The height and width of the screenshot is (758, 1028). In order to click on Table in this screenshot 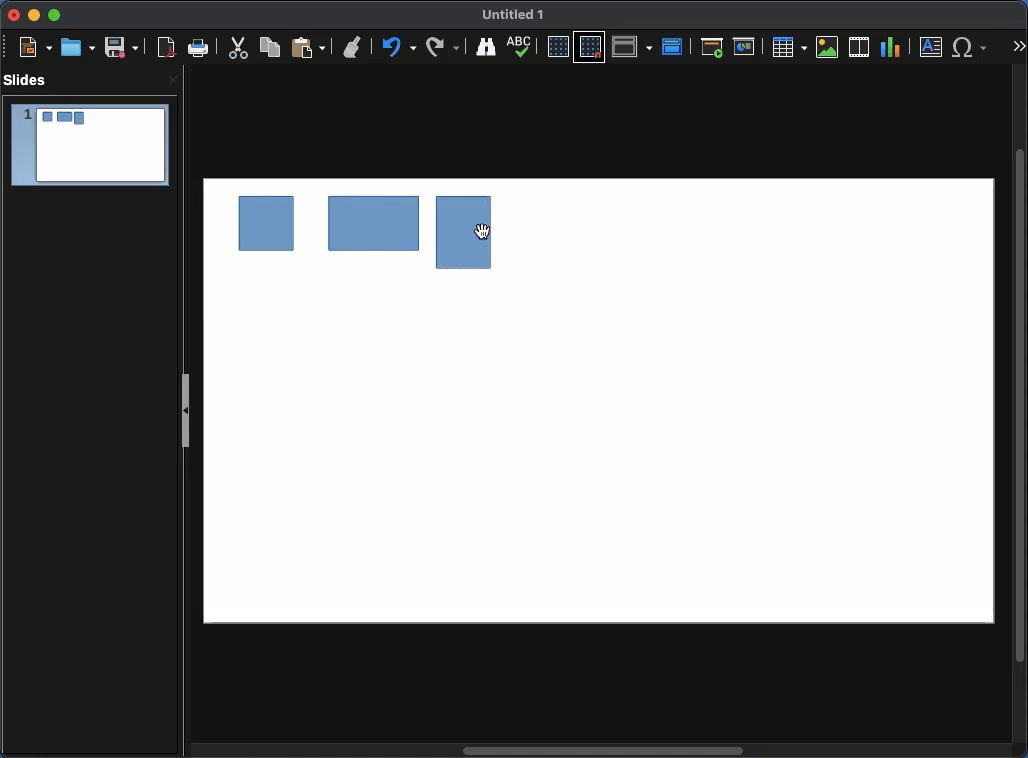, I will do `click(790, 47)`.